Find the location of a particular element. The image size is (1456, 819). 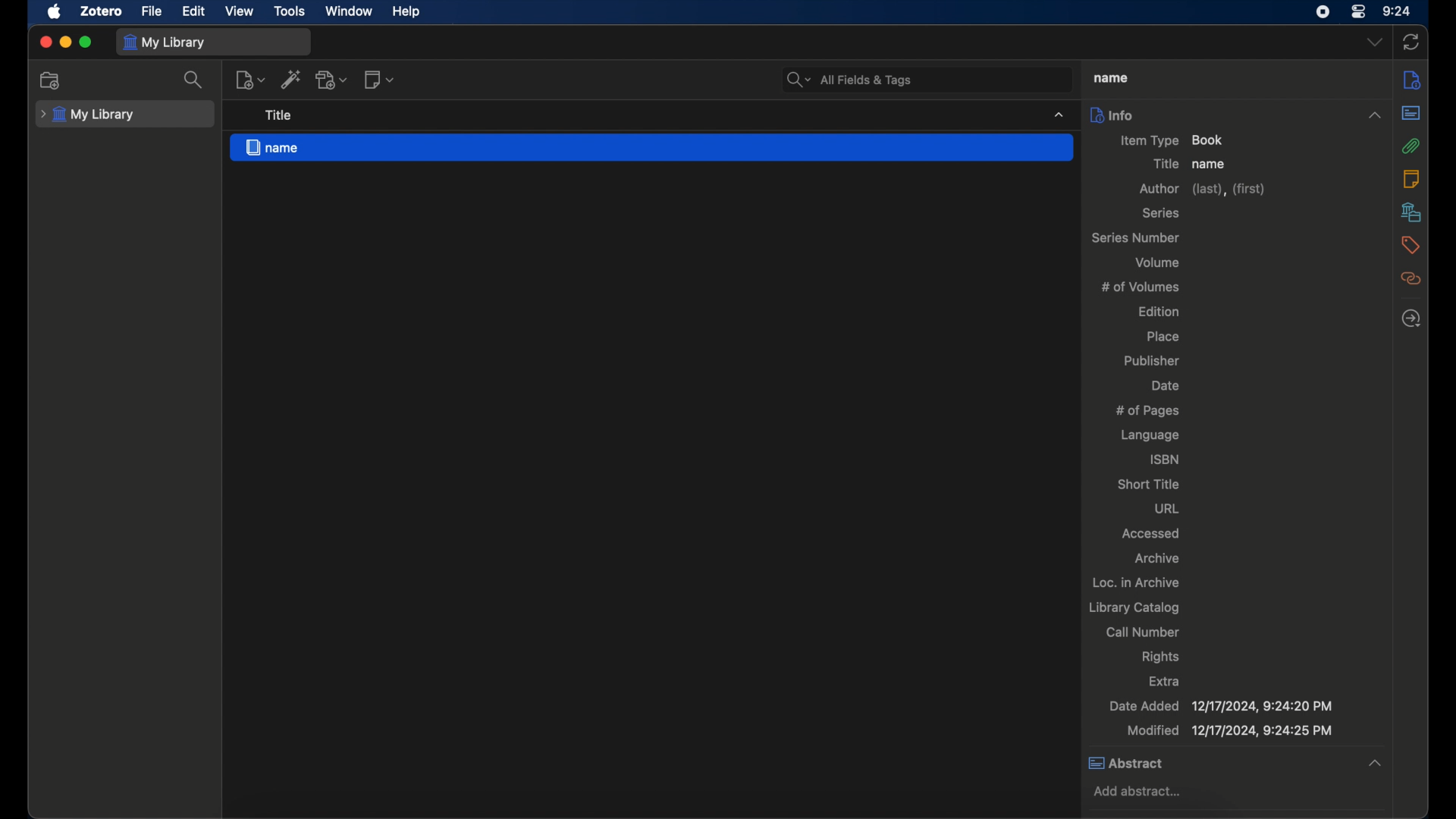

tools is located at coordinates (290, 11).